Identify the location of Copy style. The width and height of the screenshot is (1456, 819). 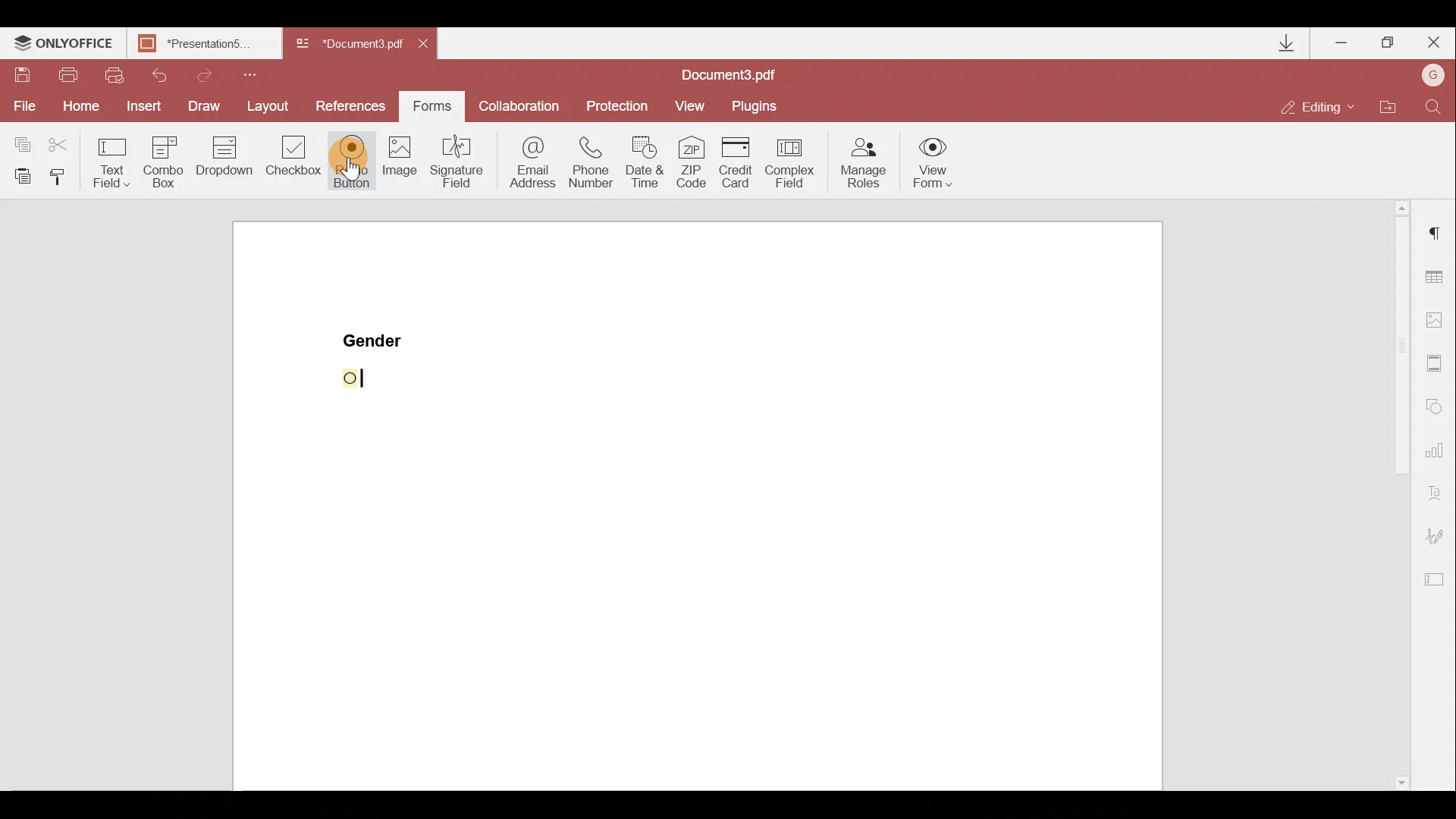
(64, 175).